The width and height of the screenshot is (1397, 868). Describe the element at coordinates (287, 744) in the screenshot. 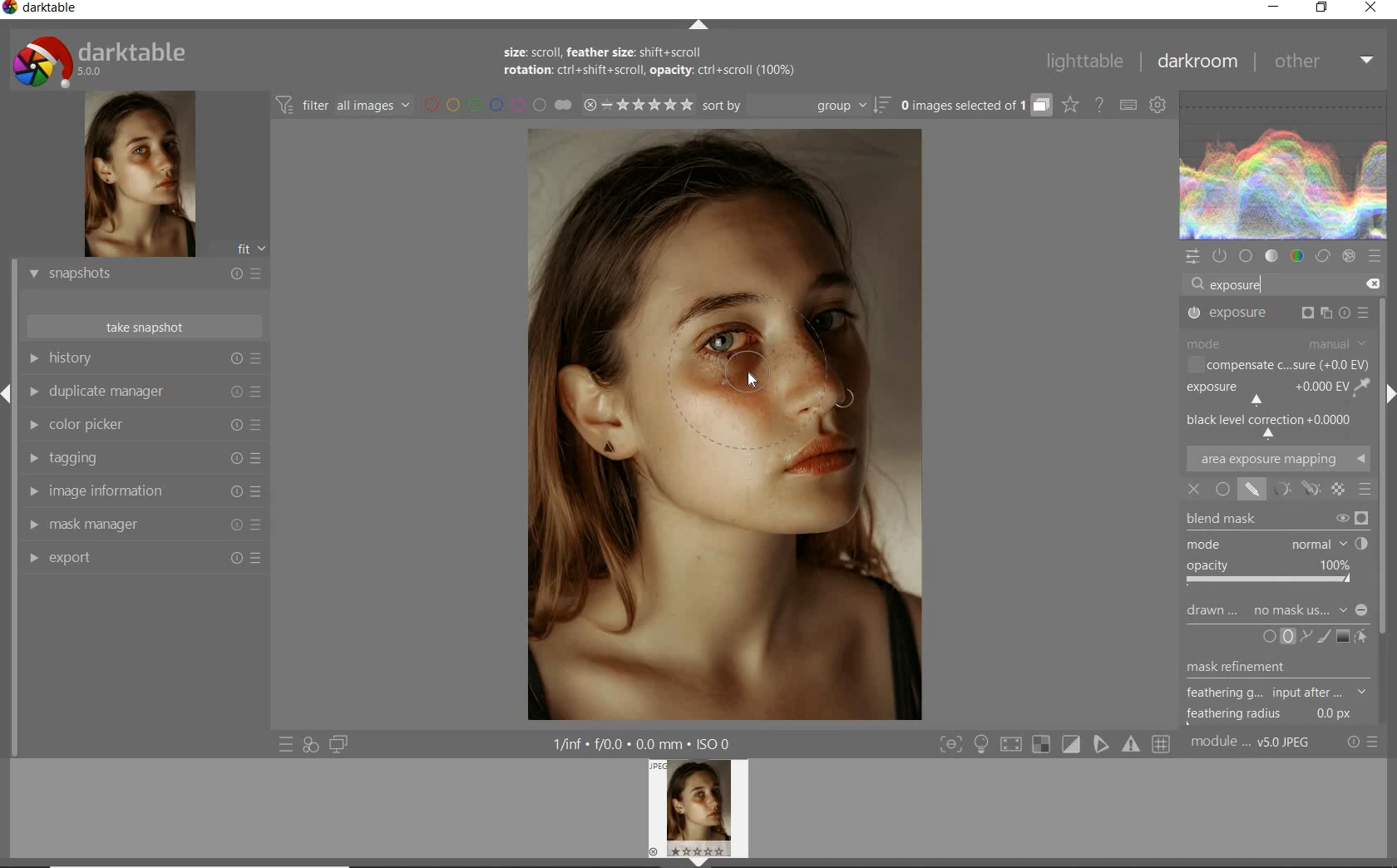

I see `quick access to presets` at that location.